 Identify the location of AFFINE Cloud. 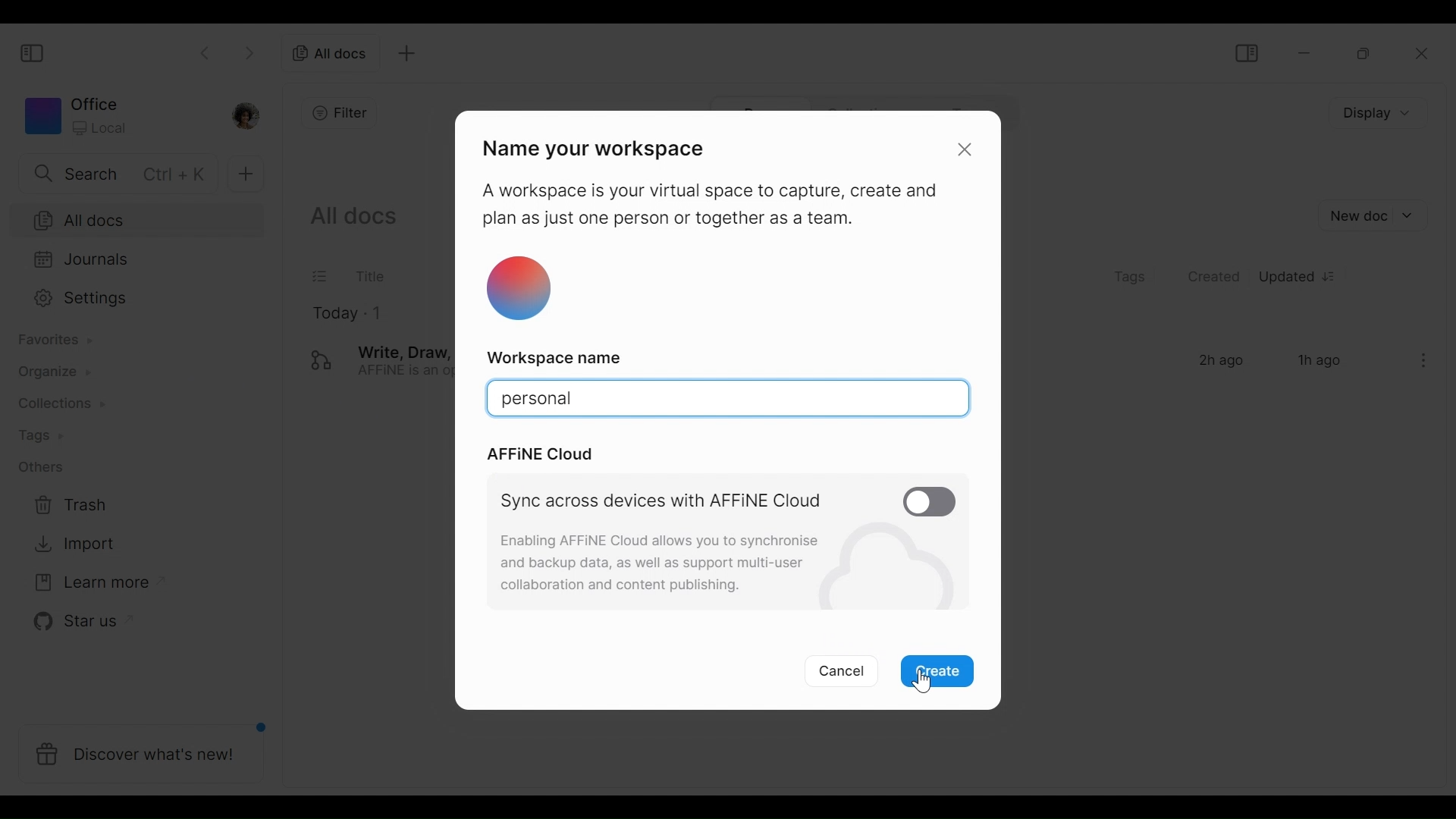
(541, 455).